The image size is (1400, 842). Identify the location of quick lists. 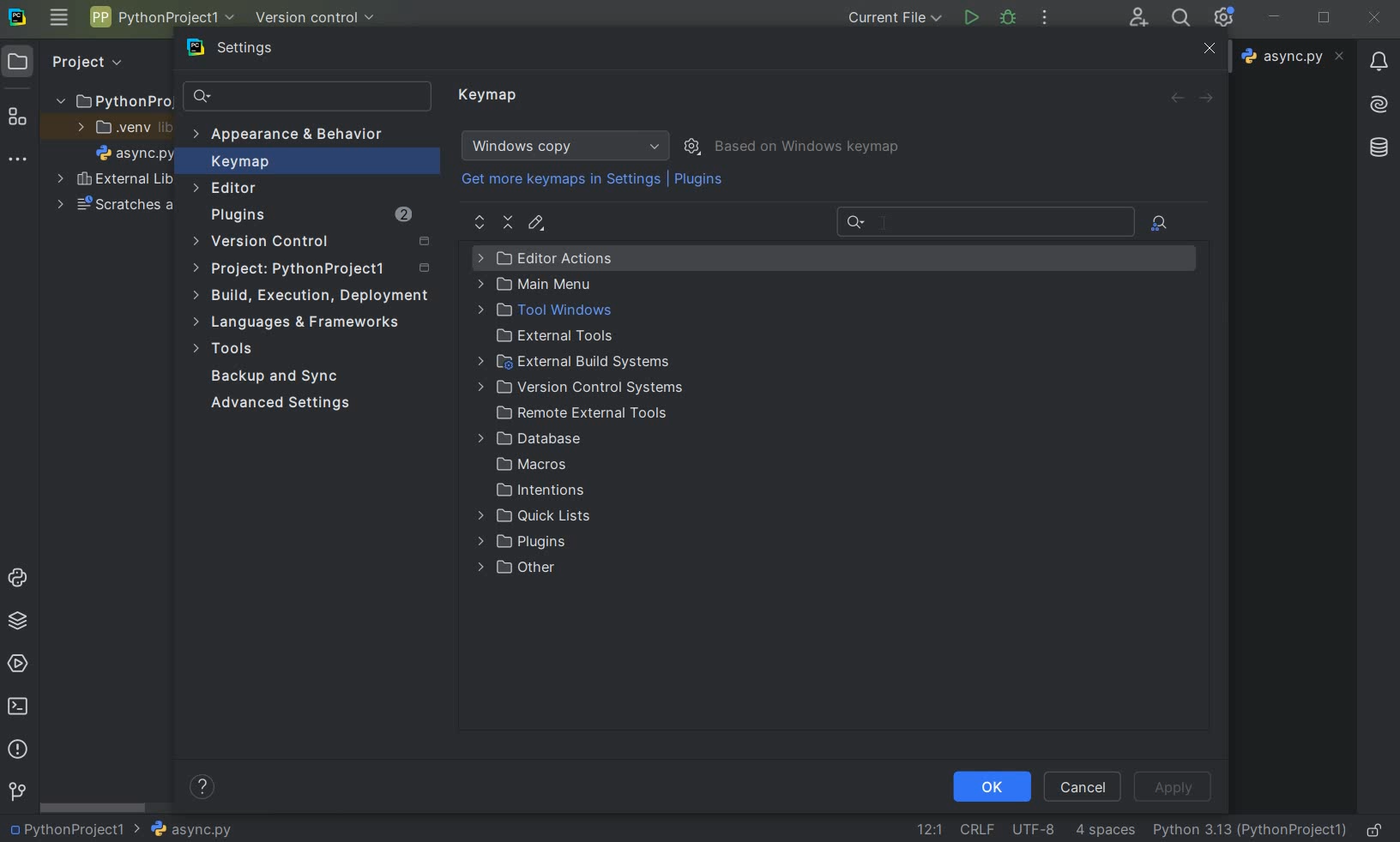
(520, 518).